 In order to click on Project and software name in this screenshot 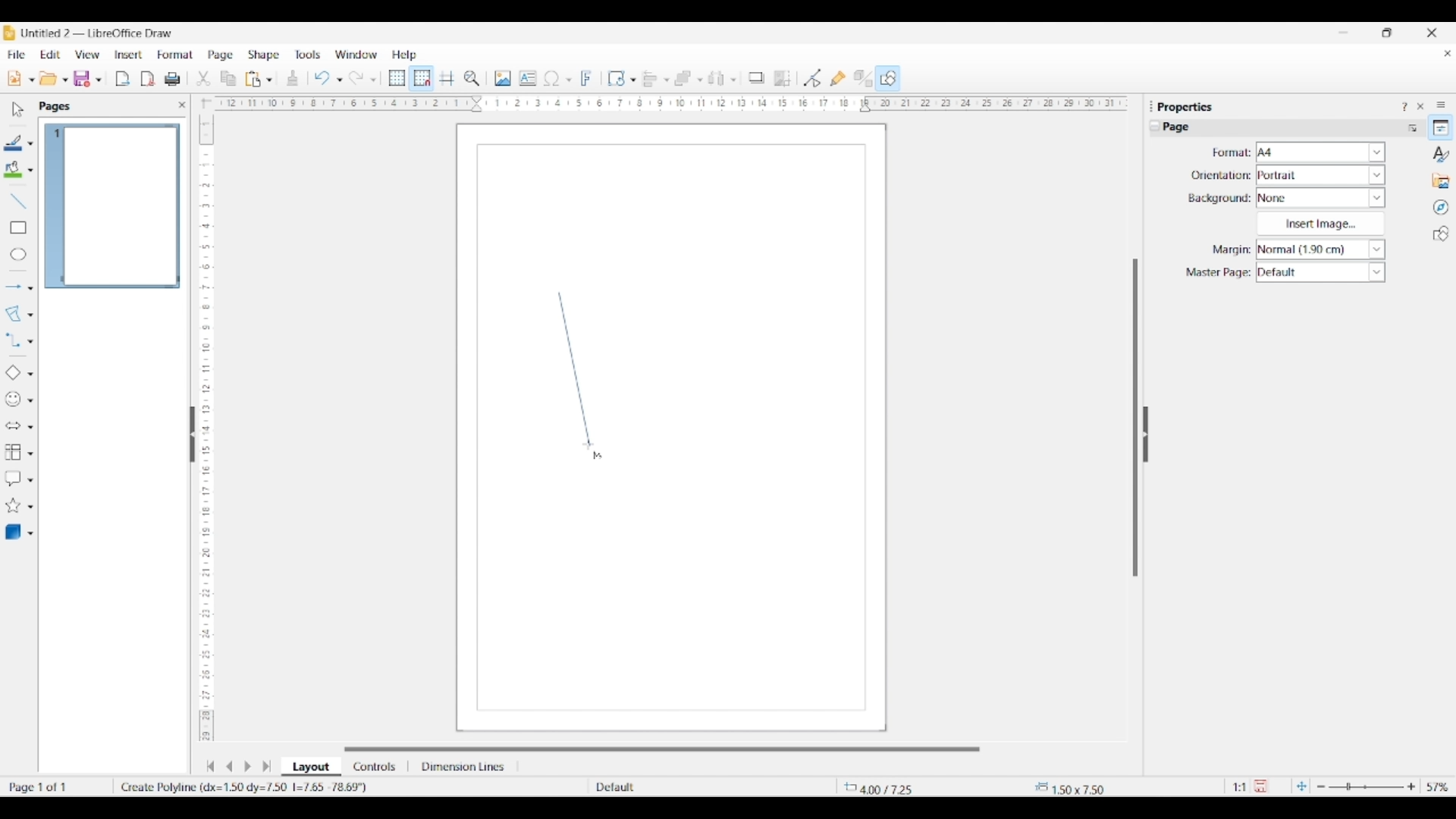, I will do `click(98, 33)`.